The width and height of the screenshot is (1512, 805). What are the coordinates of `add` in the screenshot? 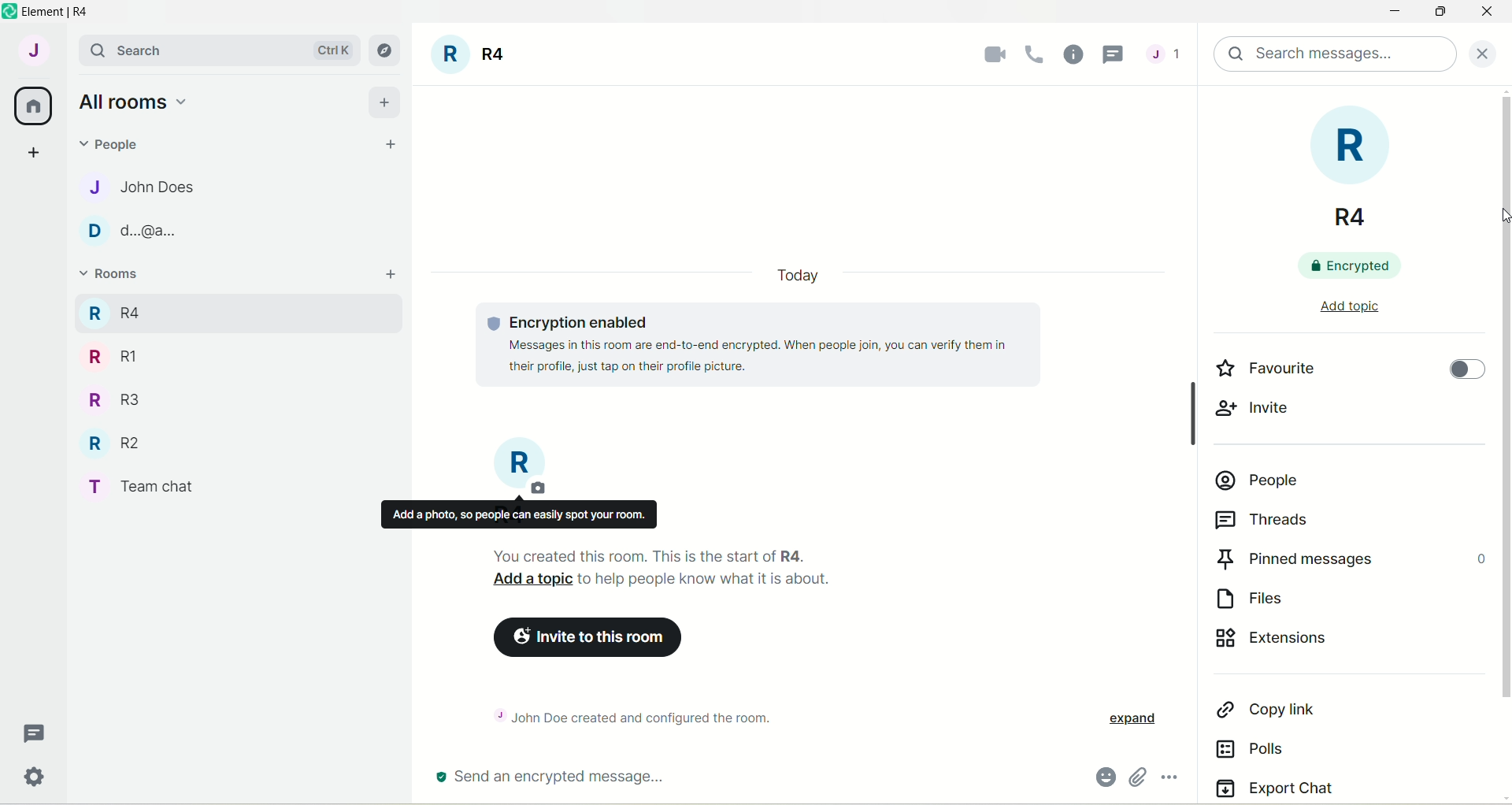 It's located at (393, 275).